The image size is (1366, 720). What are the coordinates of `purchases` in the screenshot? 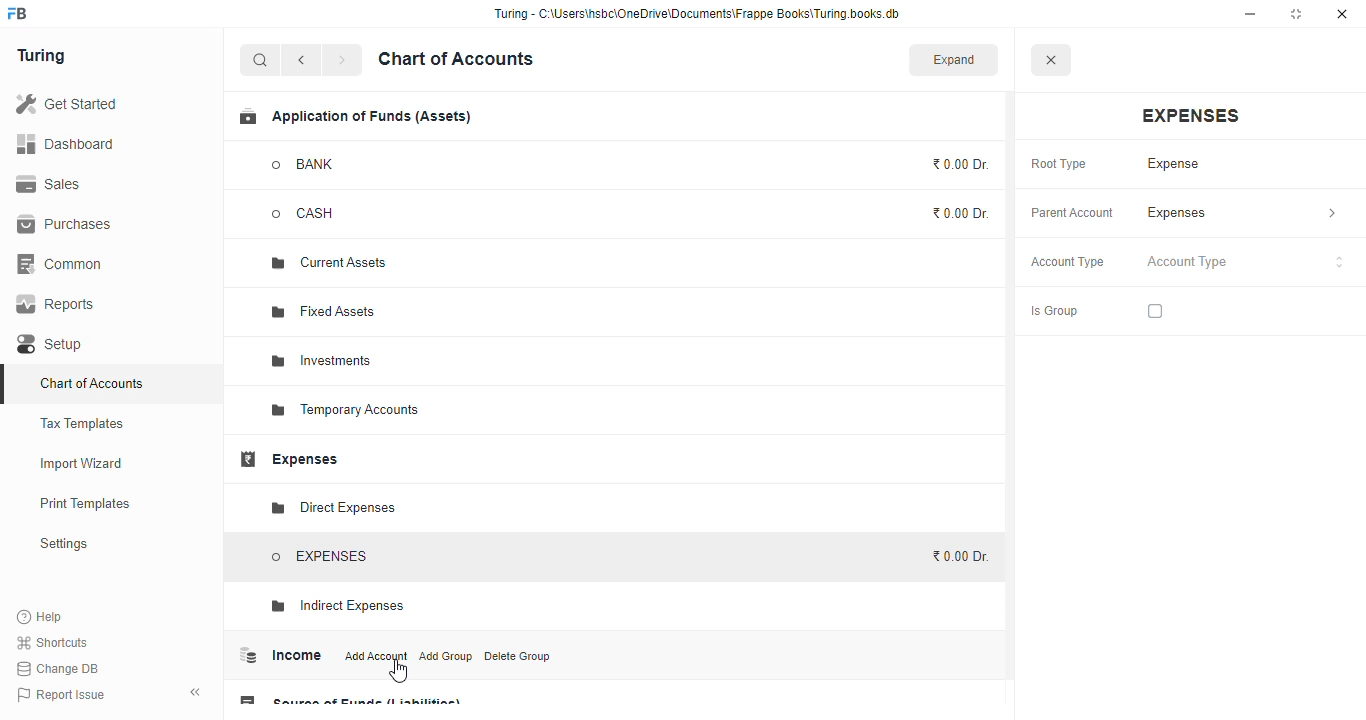 It's located at (67, 225).